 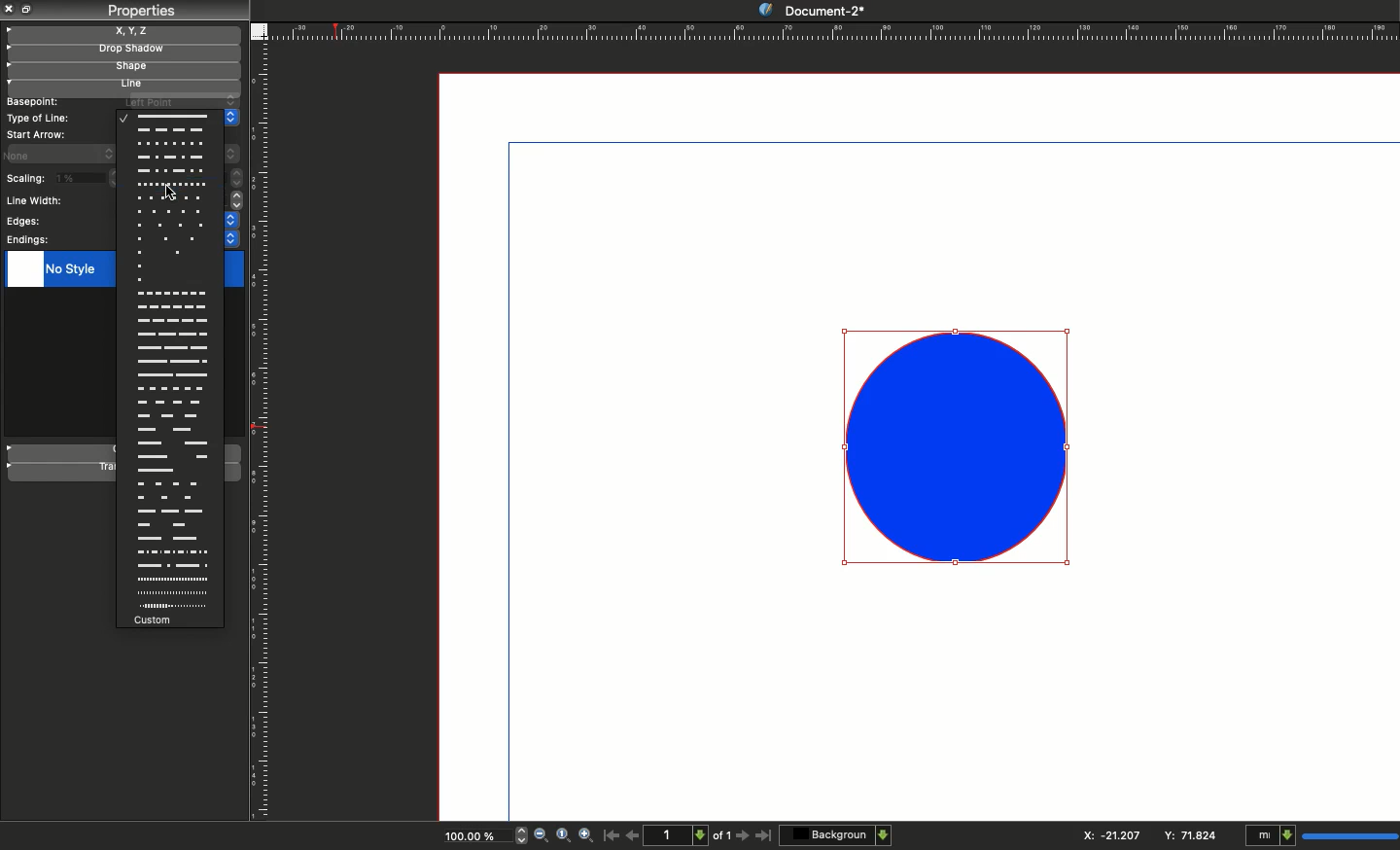 I want to click on Line width, so click(x=39, y=201).